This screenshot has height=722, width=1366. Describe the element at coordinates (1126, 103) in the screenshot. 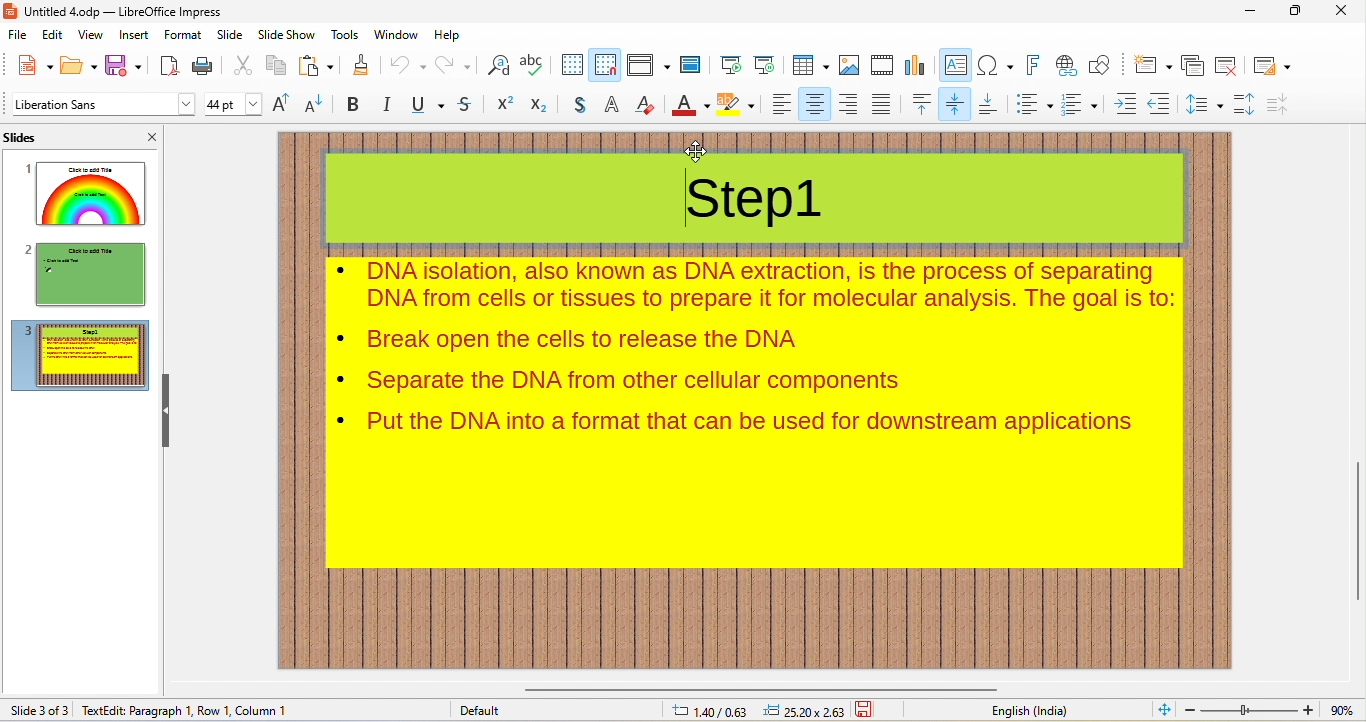

I see `increase indent` at that location.